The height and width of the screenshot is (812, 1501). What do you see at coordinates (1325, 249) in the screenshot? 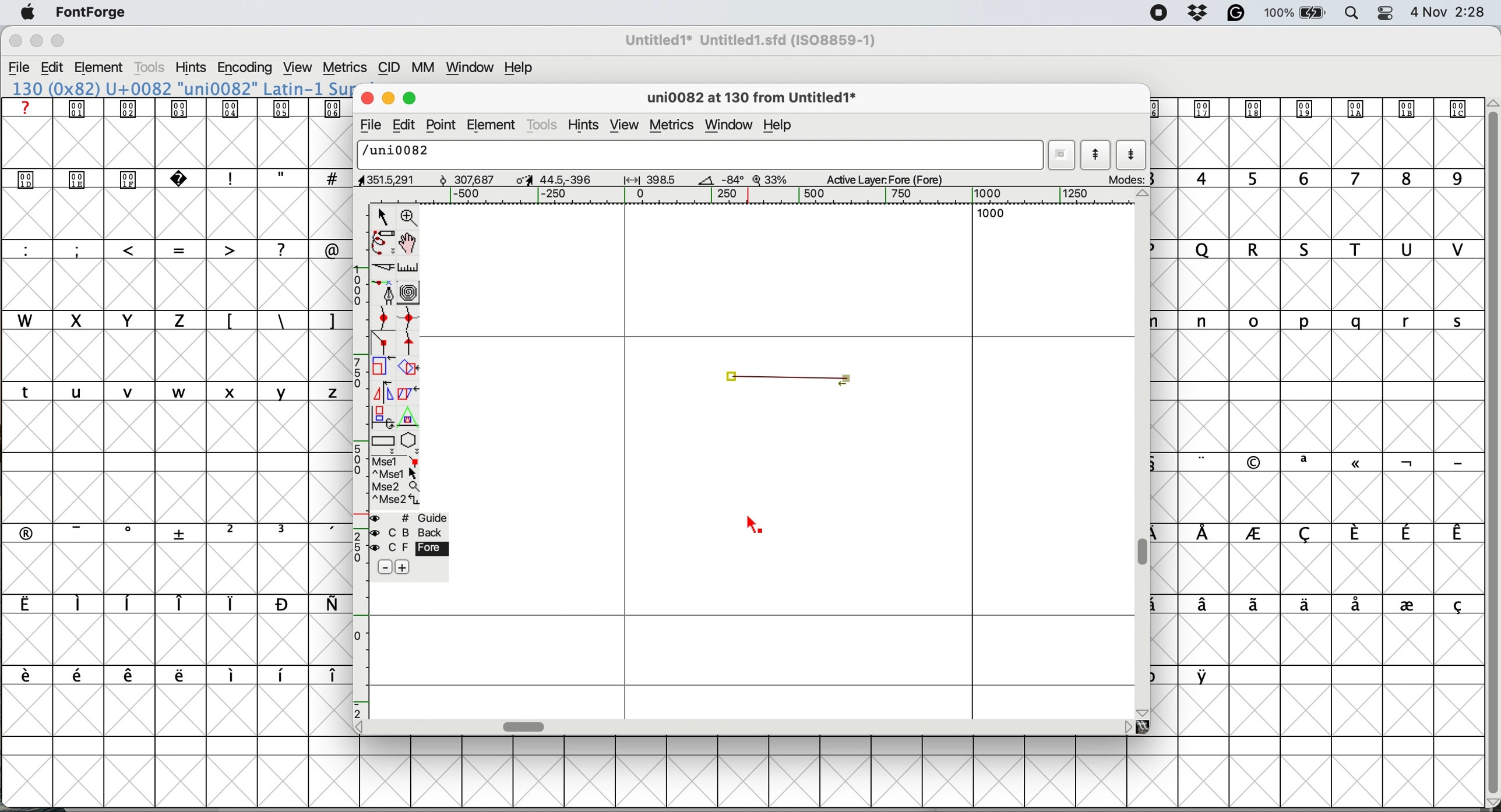
I see `uppercase letters` at bounding box center [1325, 249].